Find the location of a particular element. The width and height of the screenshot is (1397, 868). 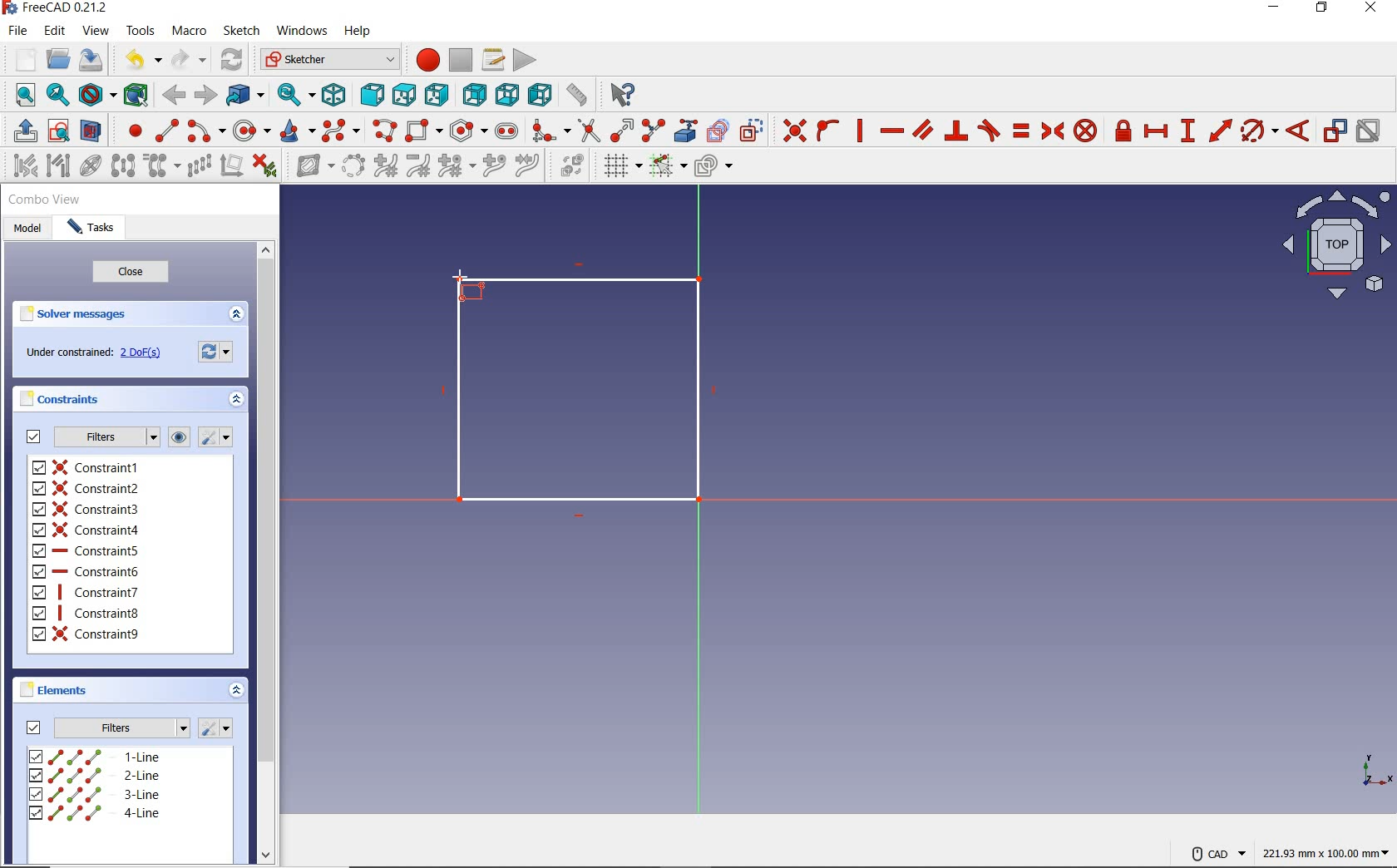

forces recomputation of active document is located at coordinates (216, 356).